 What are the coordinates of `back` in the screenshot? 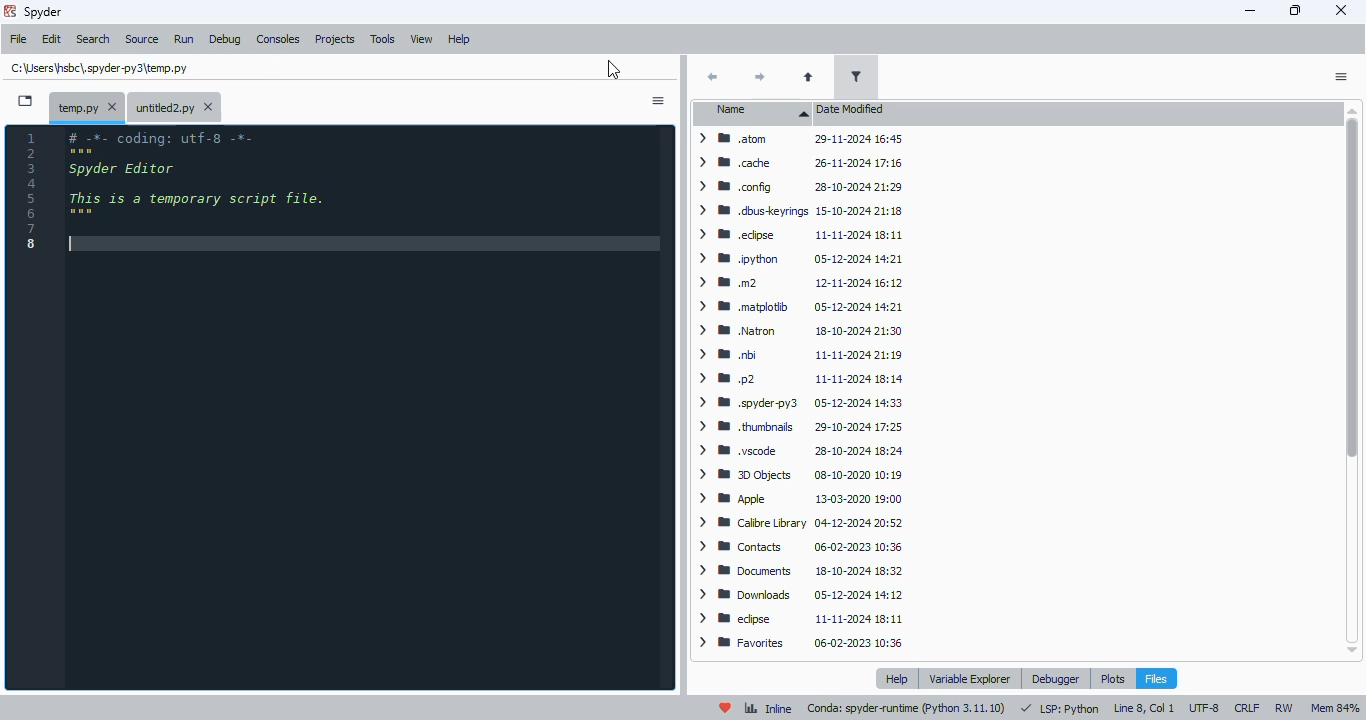 It's located at (712, 77).